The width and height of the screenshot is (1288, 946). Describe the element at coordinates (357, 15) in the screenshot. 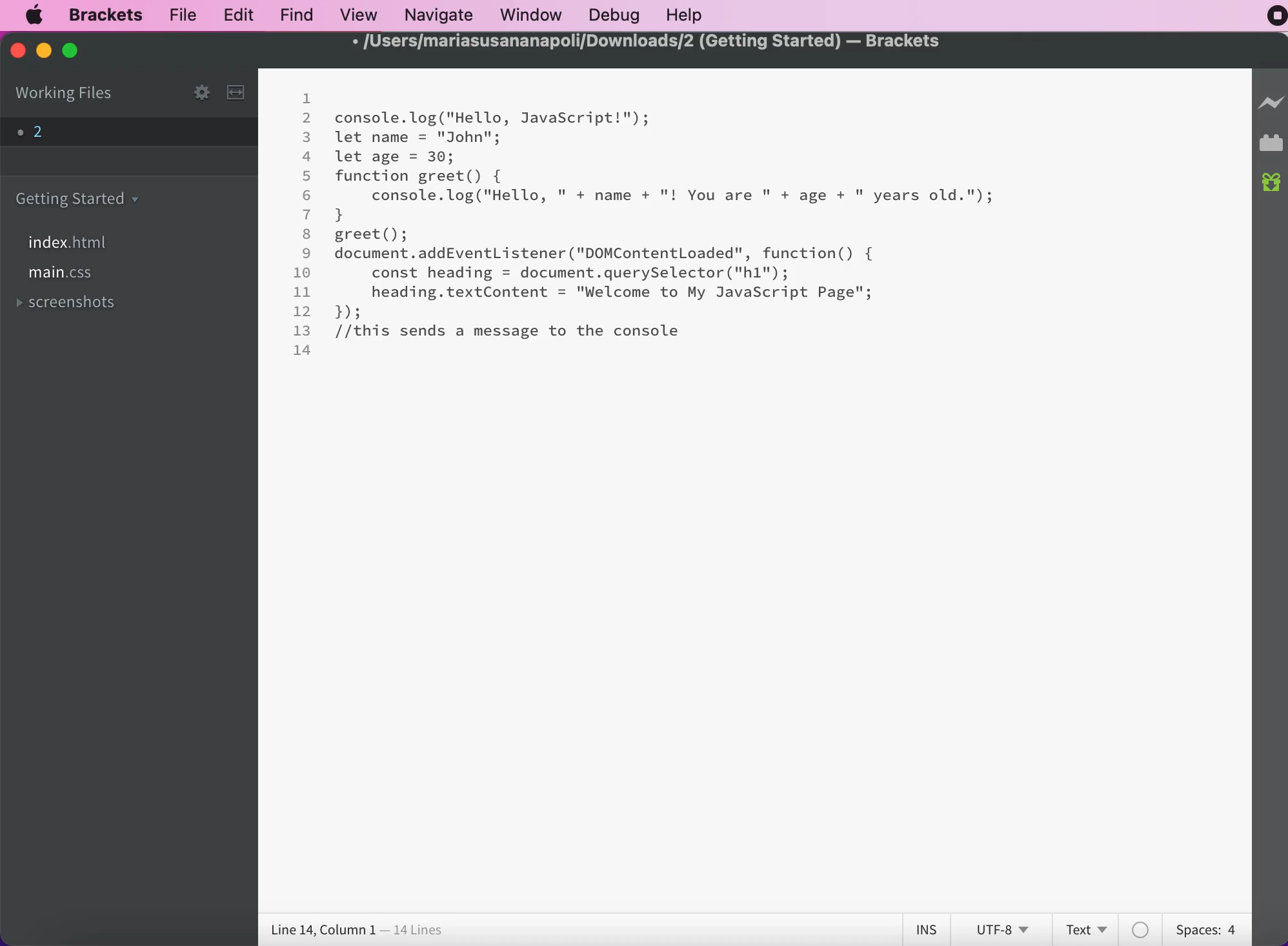

I see `view` at that location.